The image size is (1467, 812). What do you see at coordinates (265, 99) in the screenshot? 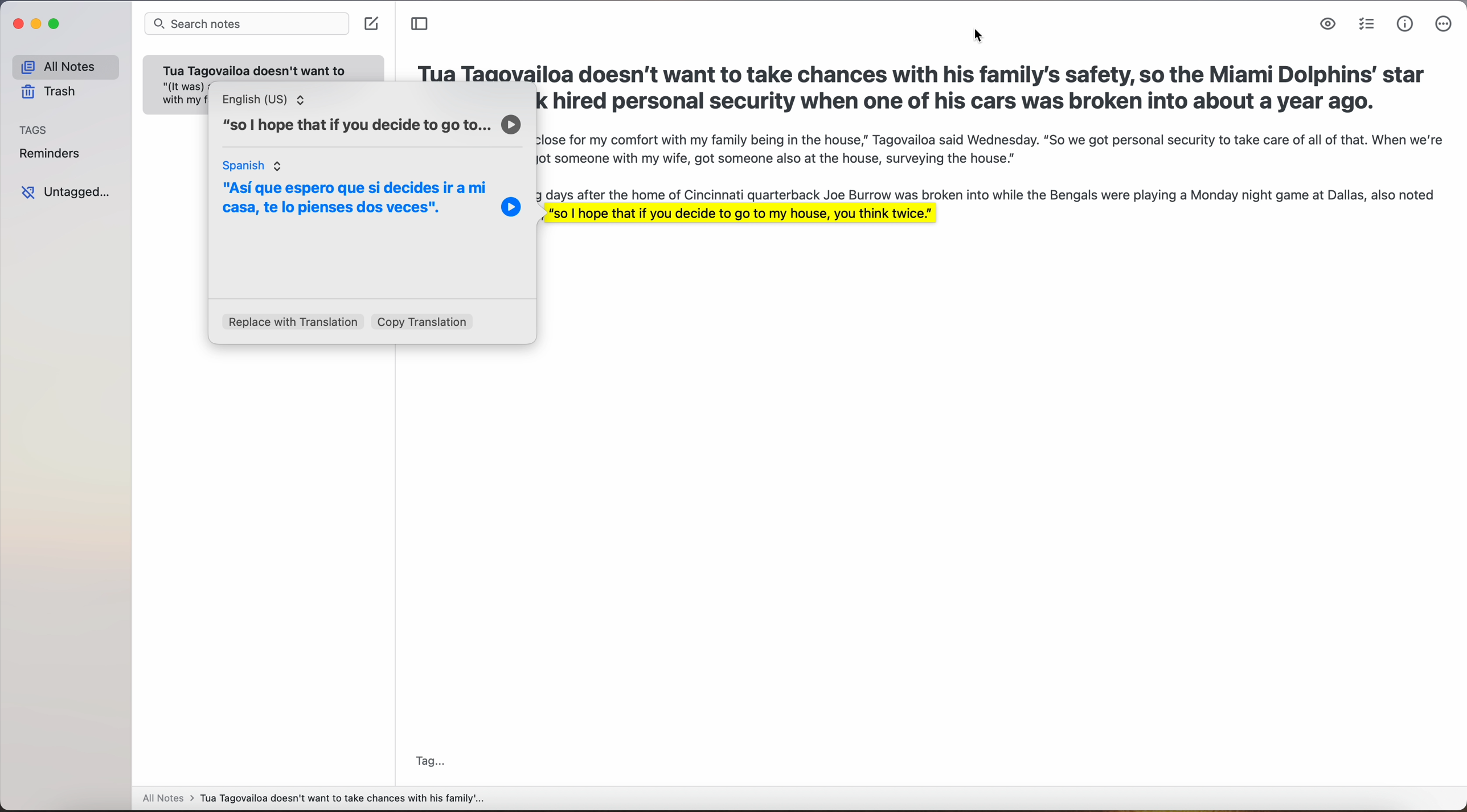
I see `English (US) ` at bounding box center [265, 99].